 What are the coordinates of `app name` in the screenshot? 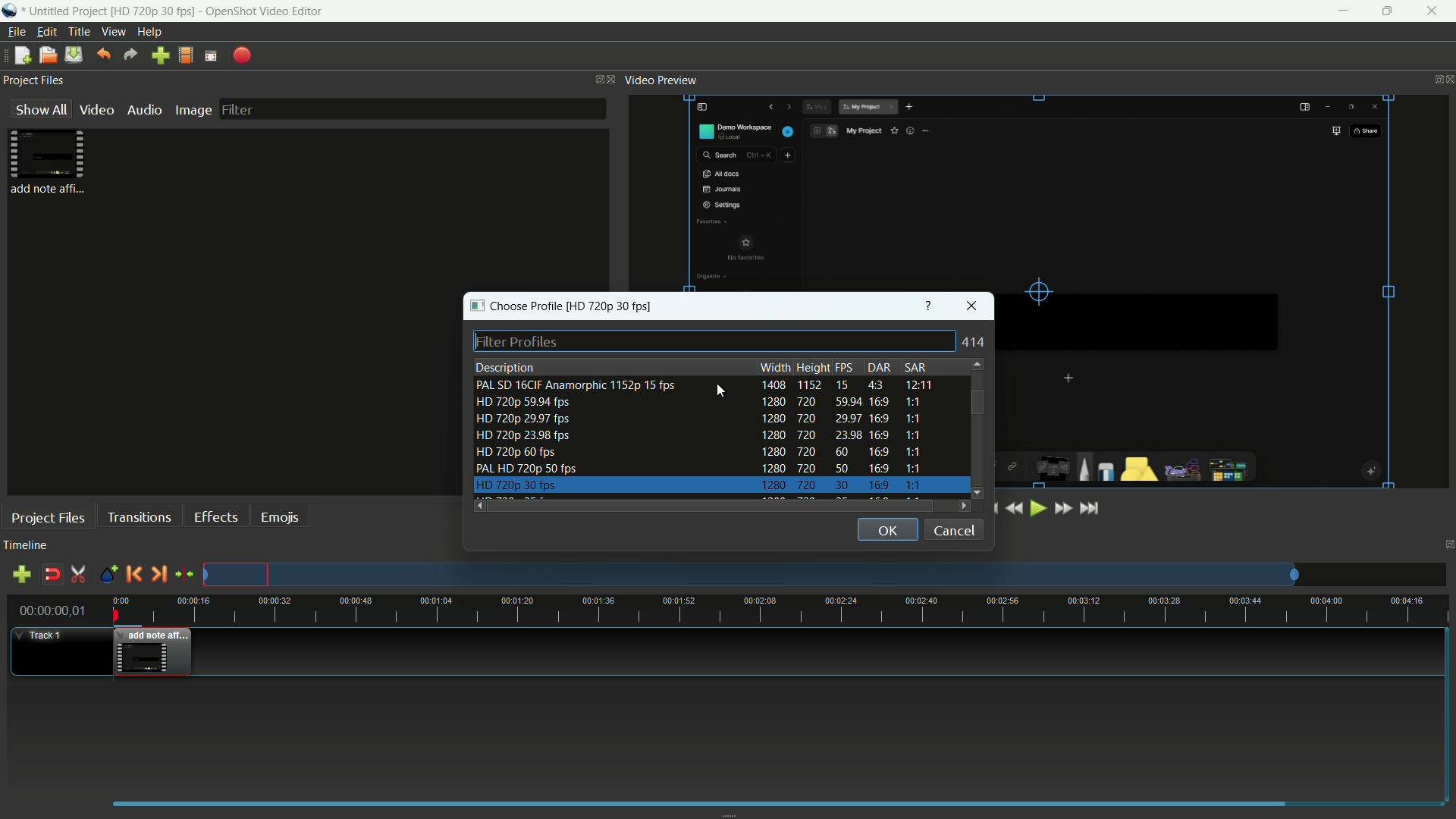 It's located at (264, 11).